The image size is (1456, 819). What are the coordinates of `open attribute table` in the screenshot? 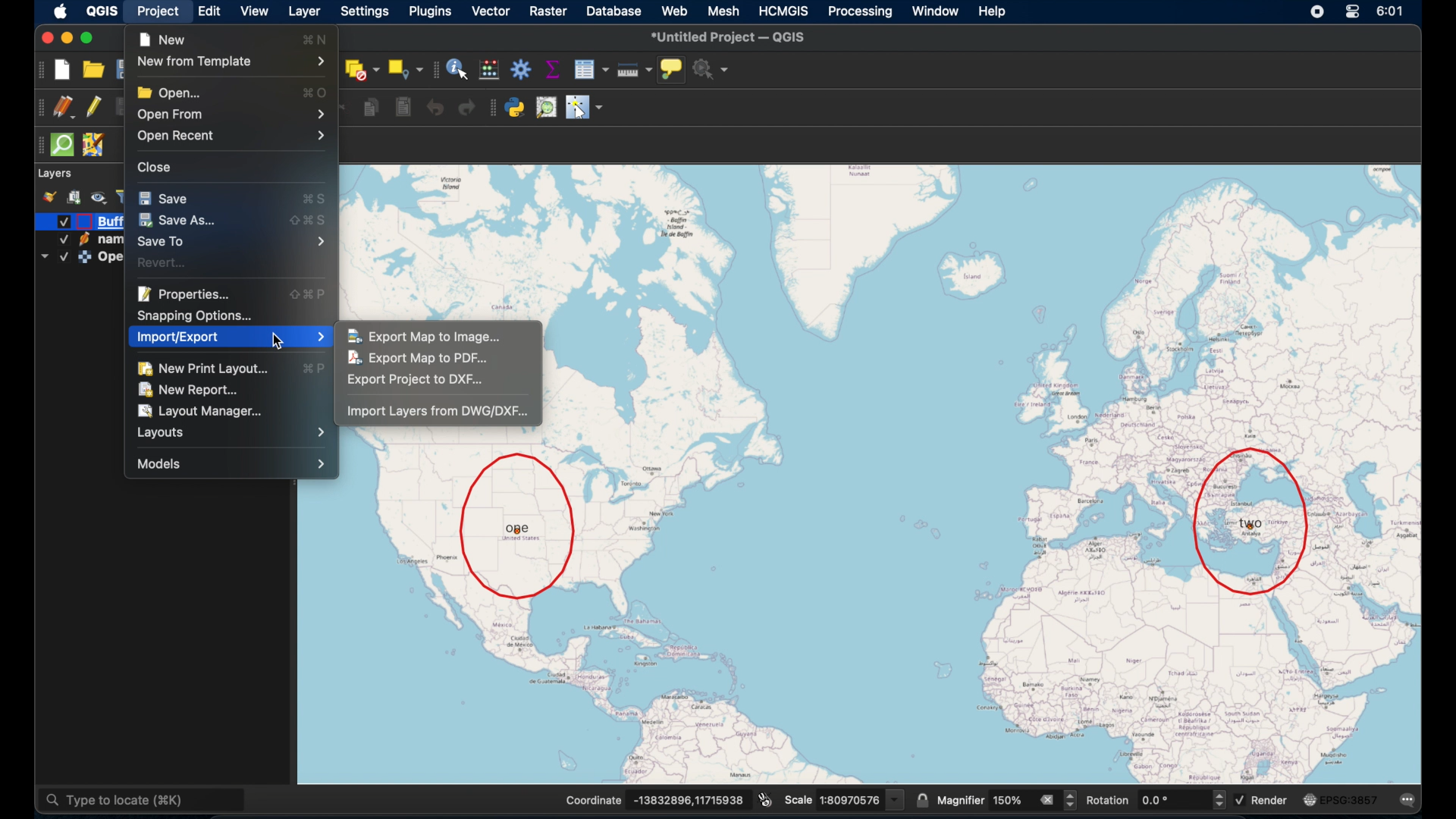 It's located at (590, 69).